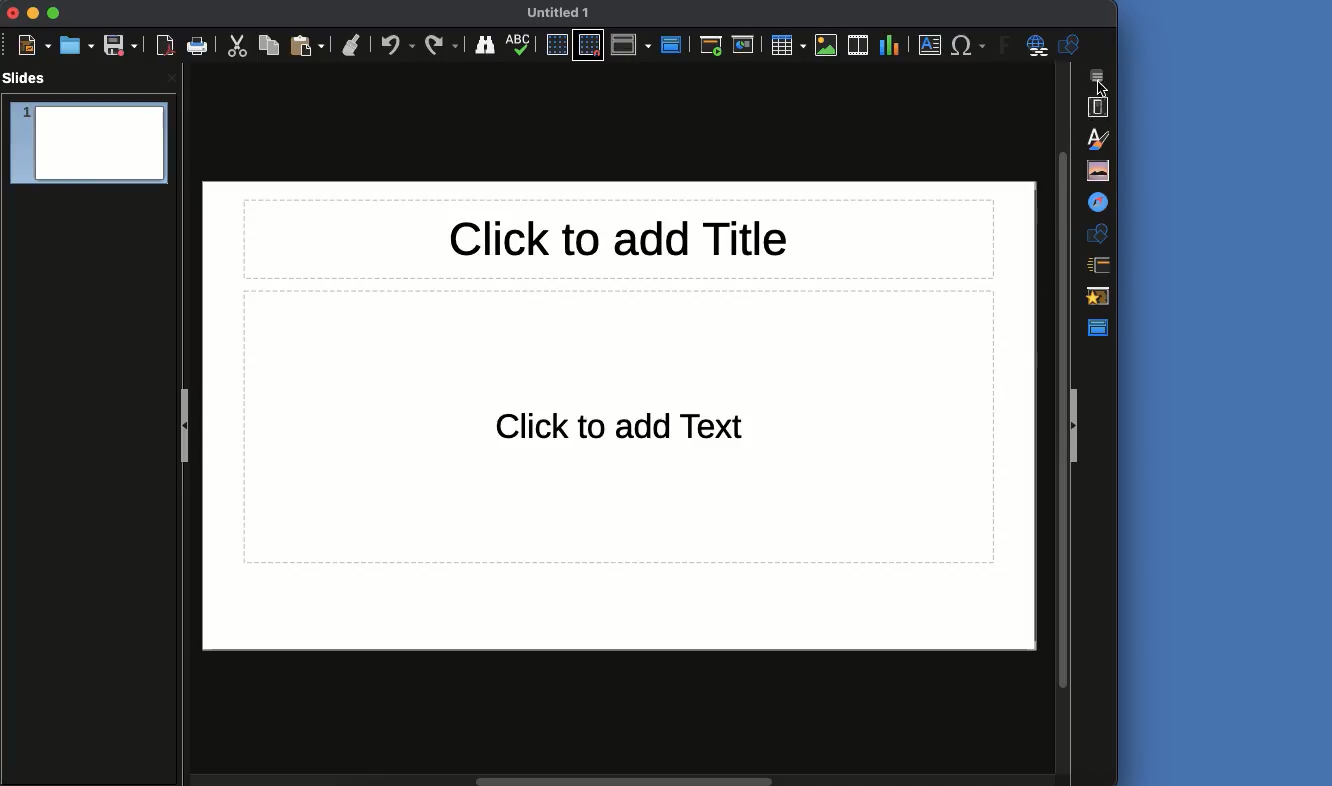 The image size is (1332, 786). What do you see at coordinates (520, 44) in the screenshot?
I see `Spellcheck` at bounding box center [520, 44].